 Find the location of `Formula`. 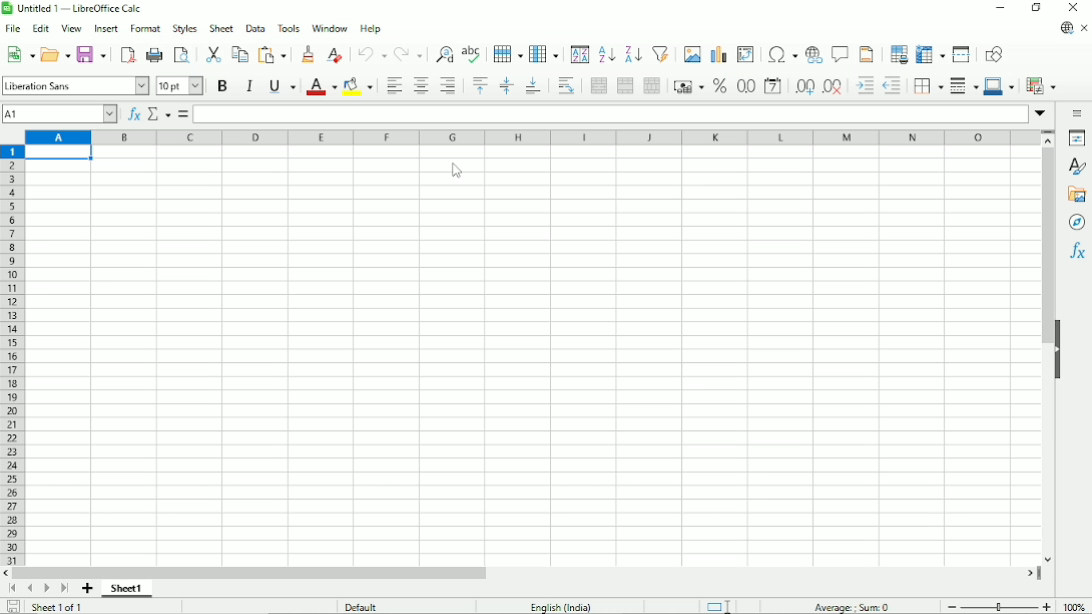

Formula is located at coordinates (183, 114).